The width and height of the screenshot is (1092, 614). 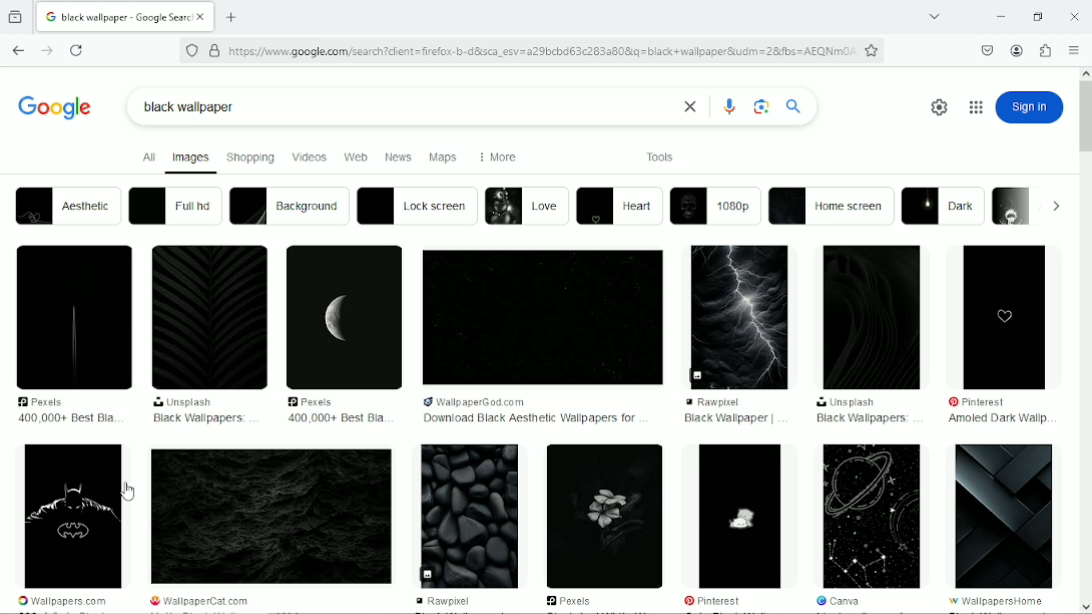 I want to click on lock screen, so click(x=417, y=205).